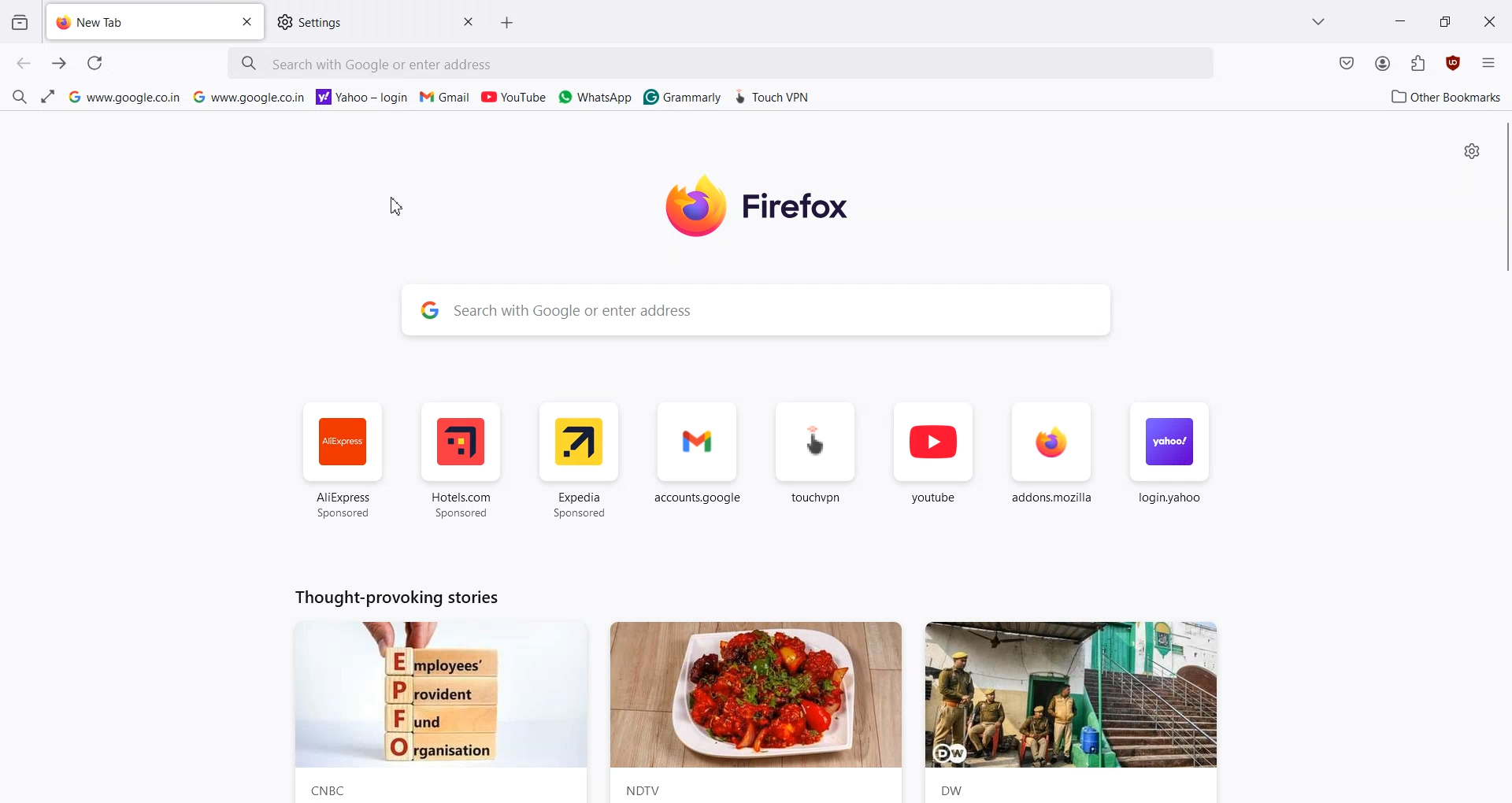 This screenshot has width=1512, height=803. I want to click on News, so click(1079, 712).